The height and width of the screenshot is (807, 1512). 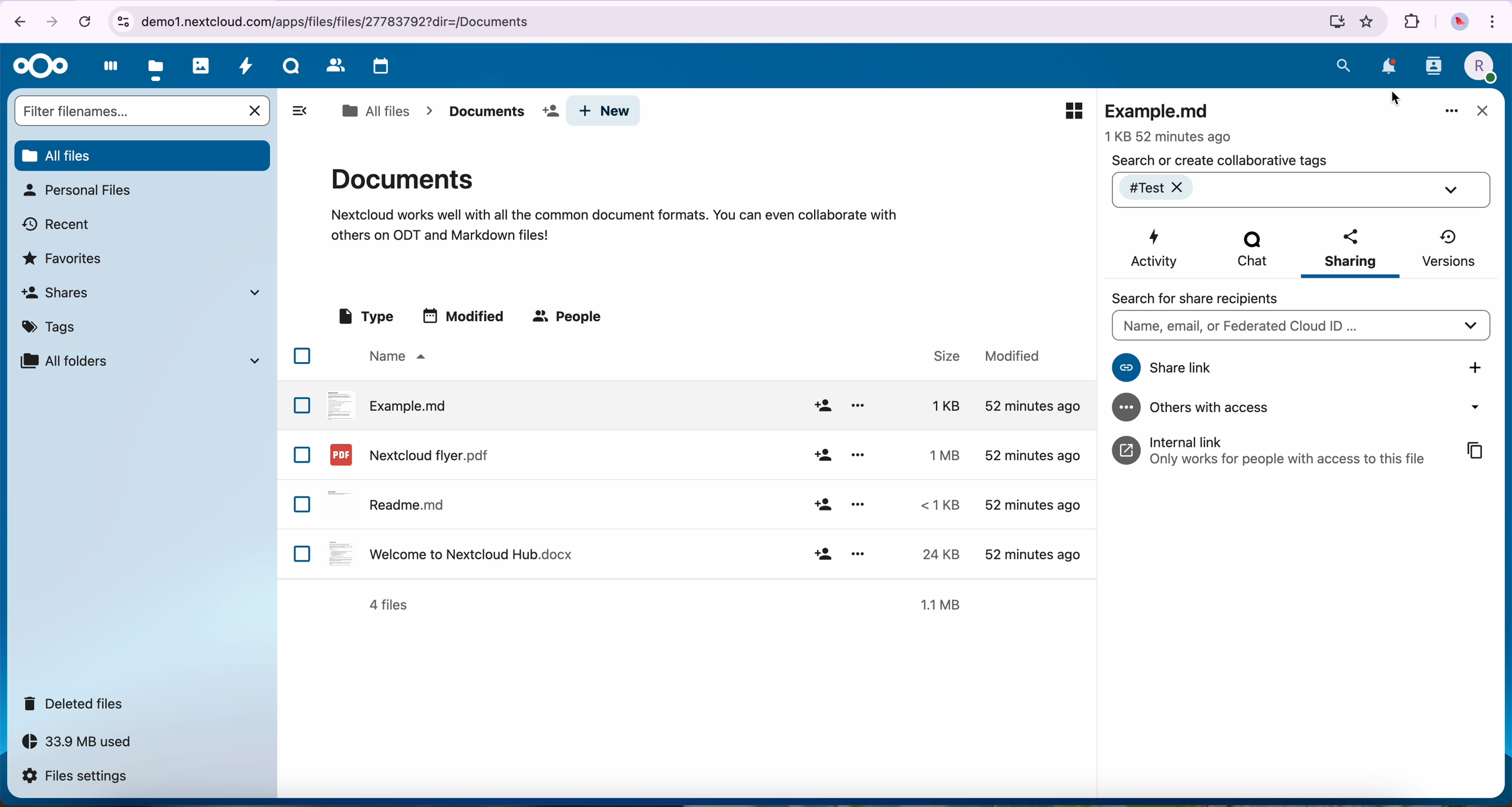 I want to click on activity, so click(x=1156, y=249).